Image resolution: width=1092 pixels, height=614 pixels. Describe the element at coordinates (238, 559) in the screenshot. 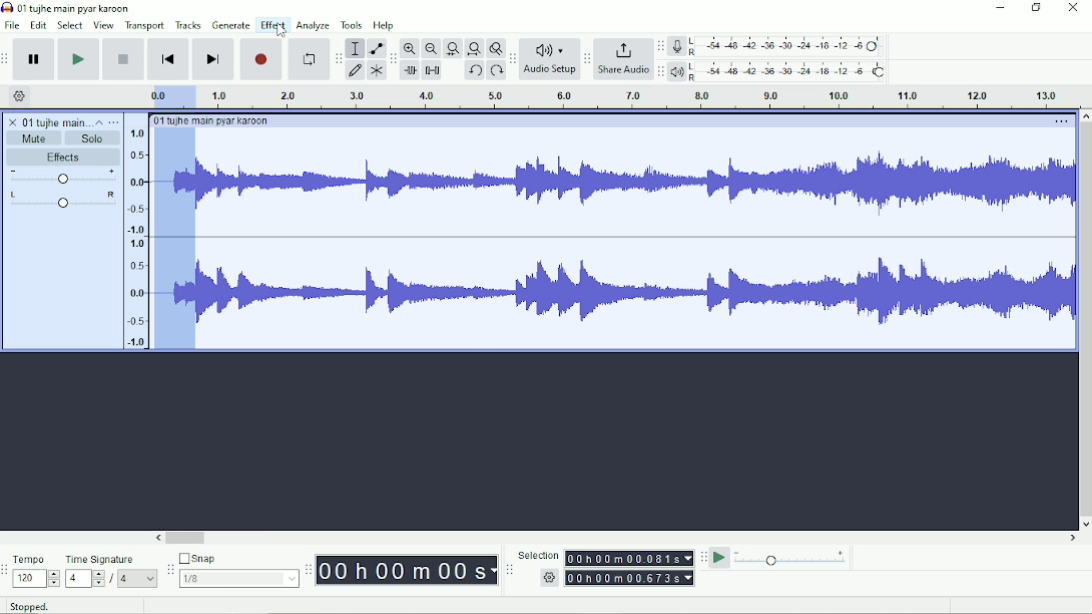

I see `Snap` at that location.